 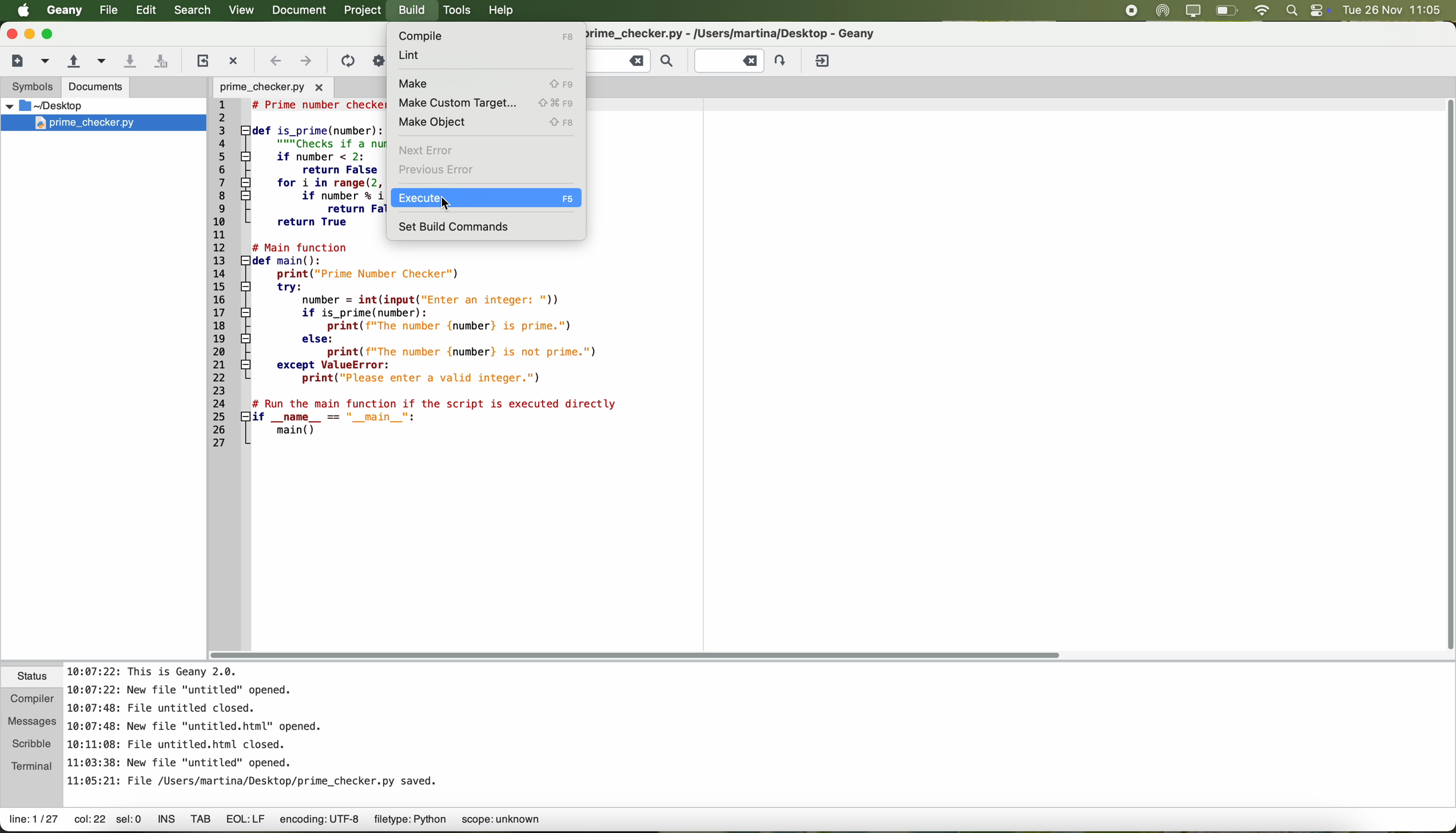 I want to click on make, so click(x=483, y=82).